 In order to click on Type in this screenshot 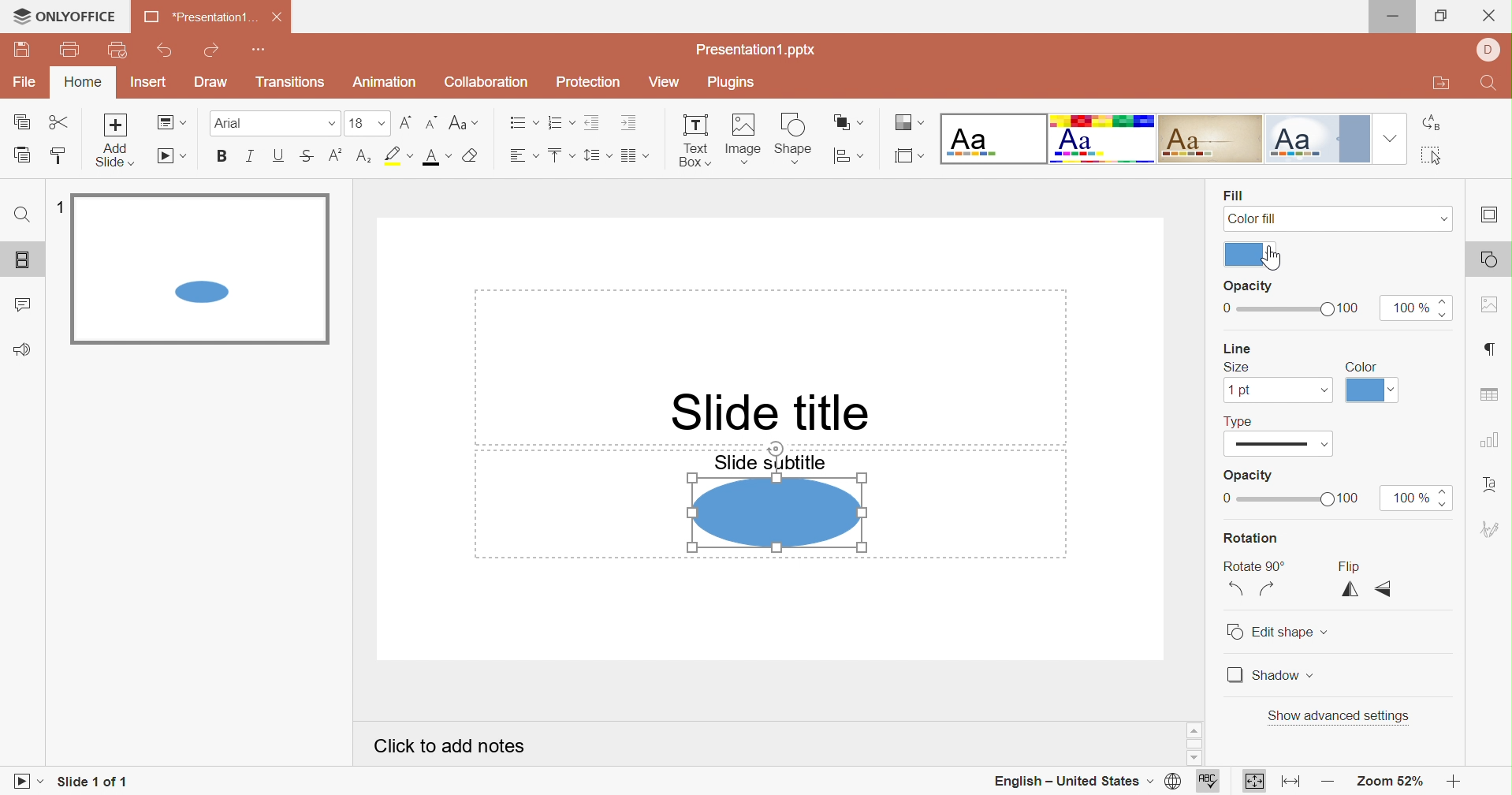, I will do `click(1262, 443)`.